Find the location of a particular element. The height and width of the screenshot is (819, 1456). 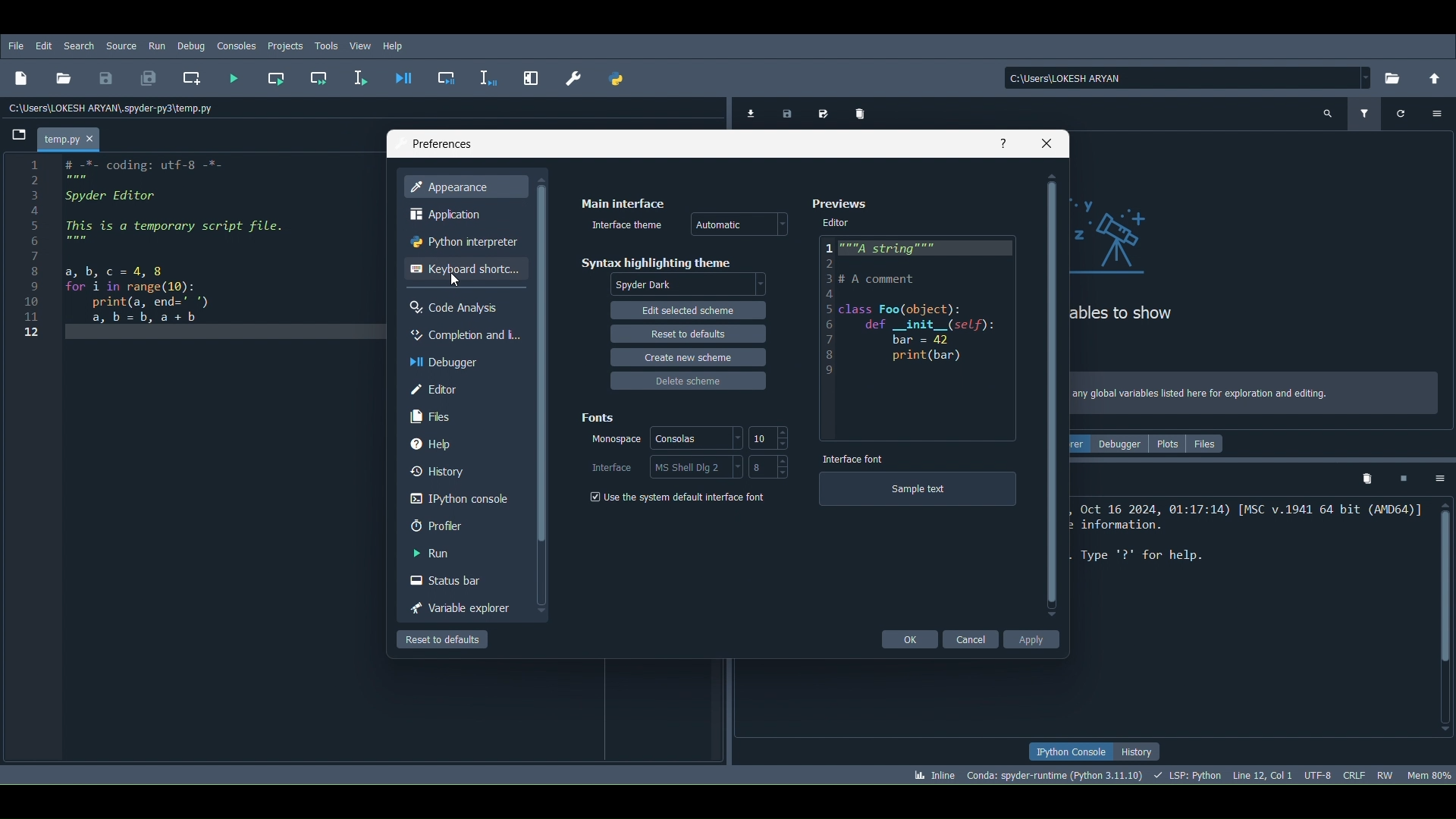

code is located at coordinates (172, 245).